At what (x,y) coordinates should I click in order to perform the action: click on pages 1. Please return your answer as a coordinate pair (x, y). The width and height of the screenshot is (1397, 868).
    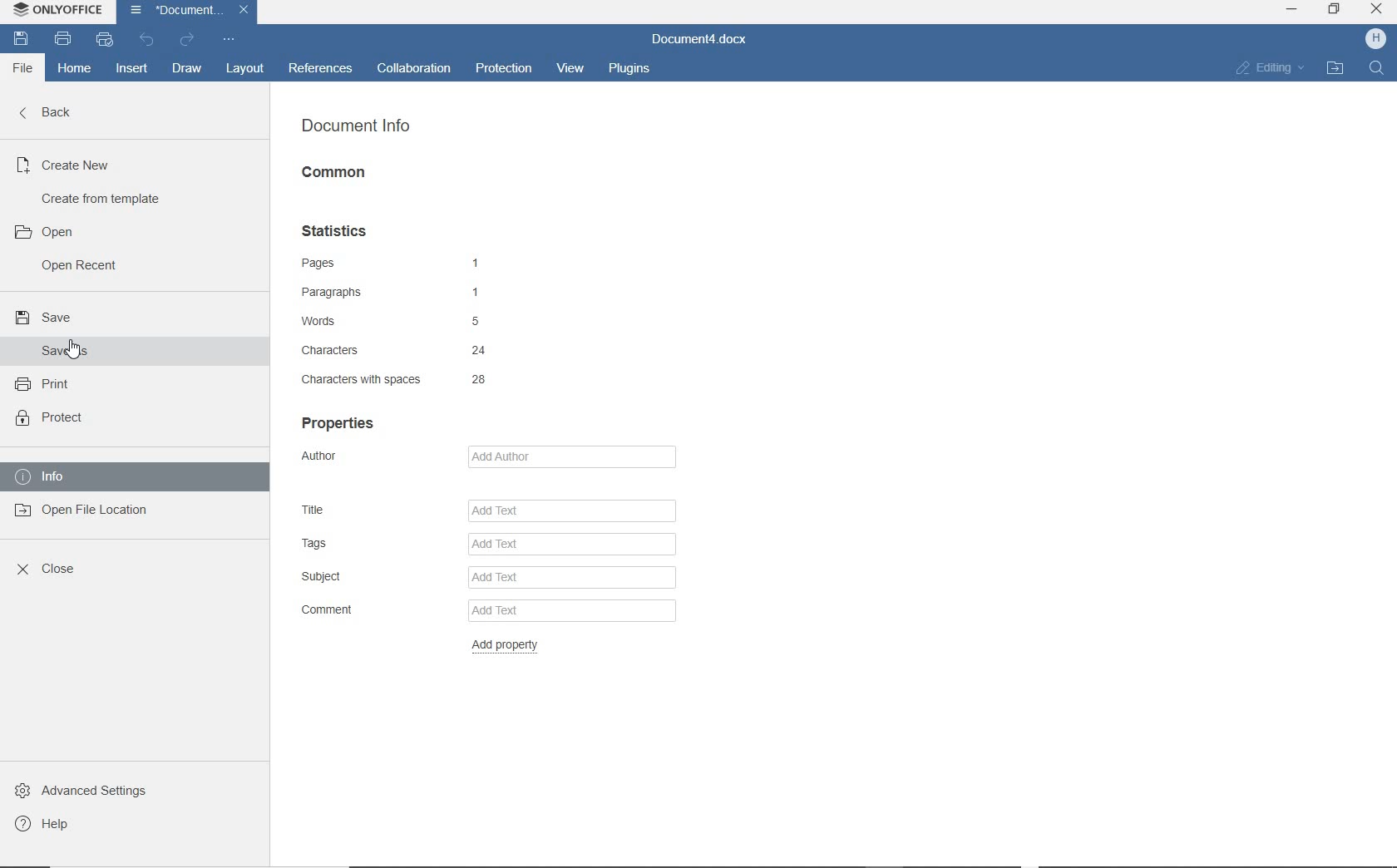
    Looking at the image, I should click on (390, 262).